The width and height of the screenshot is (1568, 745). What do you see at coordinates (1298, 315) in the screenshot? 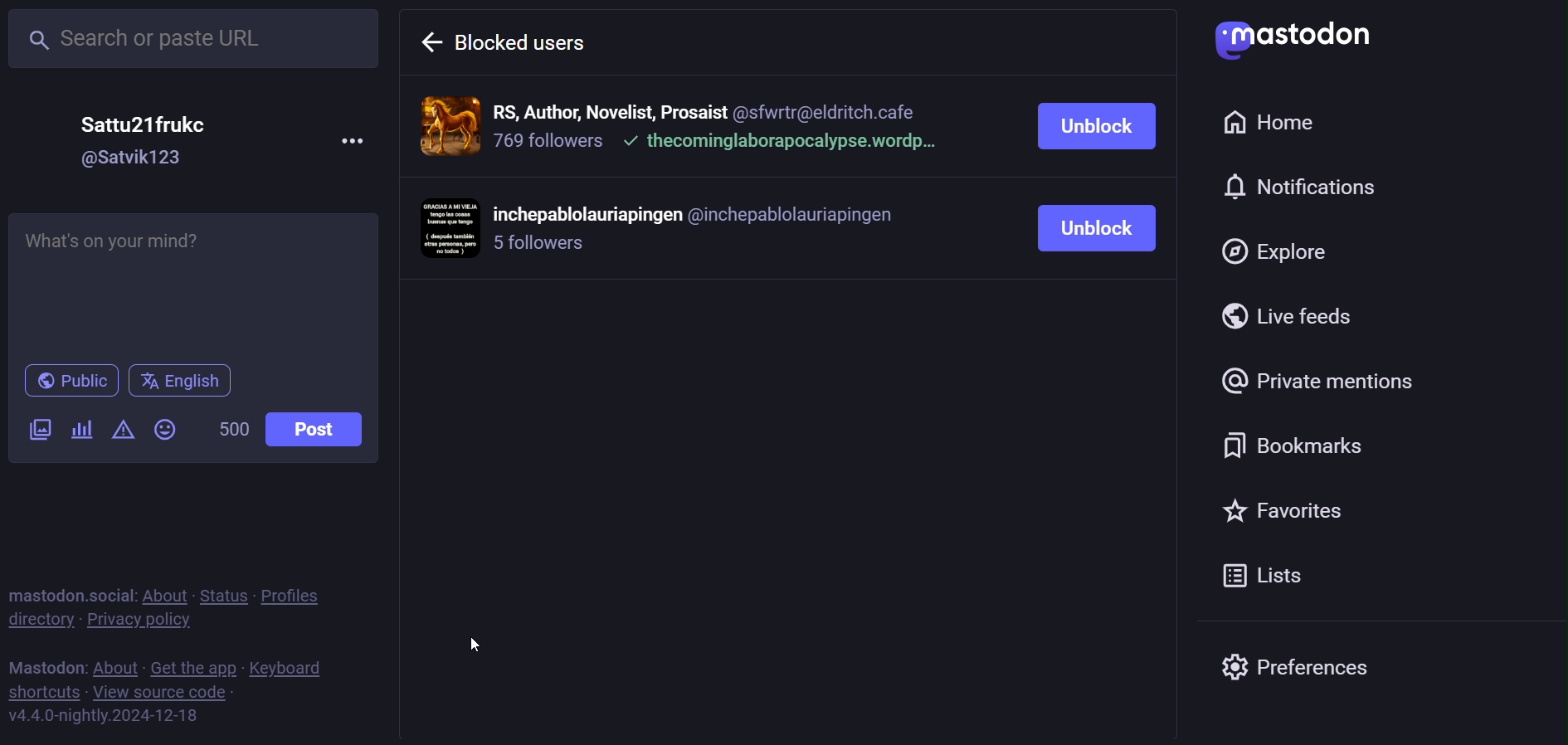
I see `live feeds` at bounding box center [1298, 315].